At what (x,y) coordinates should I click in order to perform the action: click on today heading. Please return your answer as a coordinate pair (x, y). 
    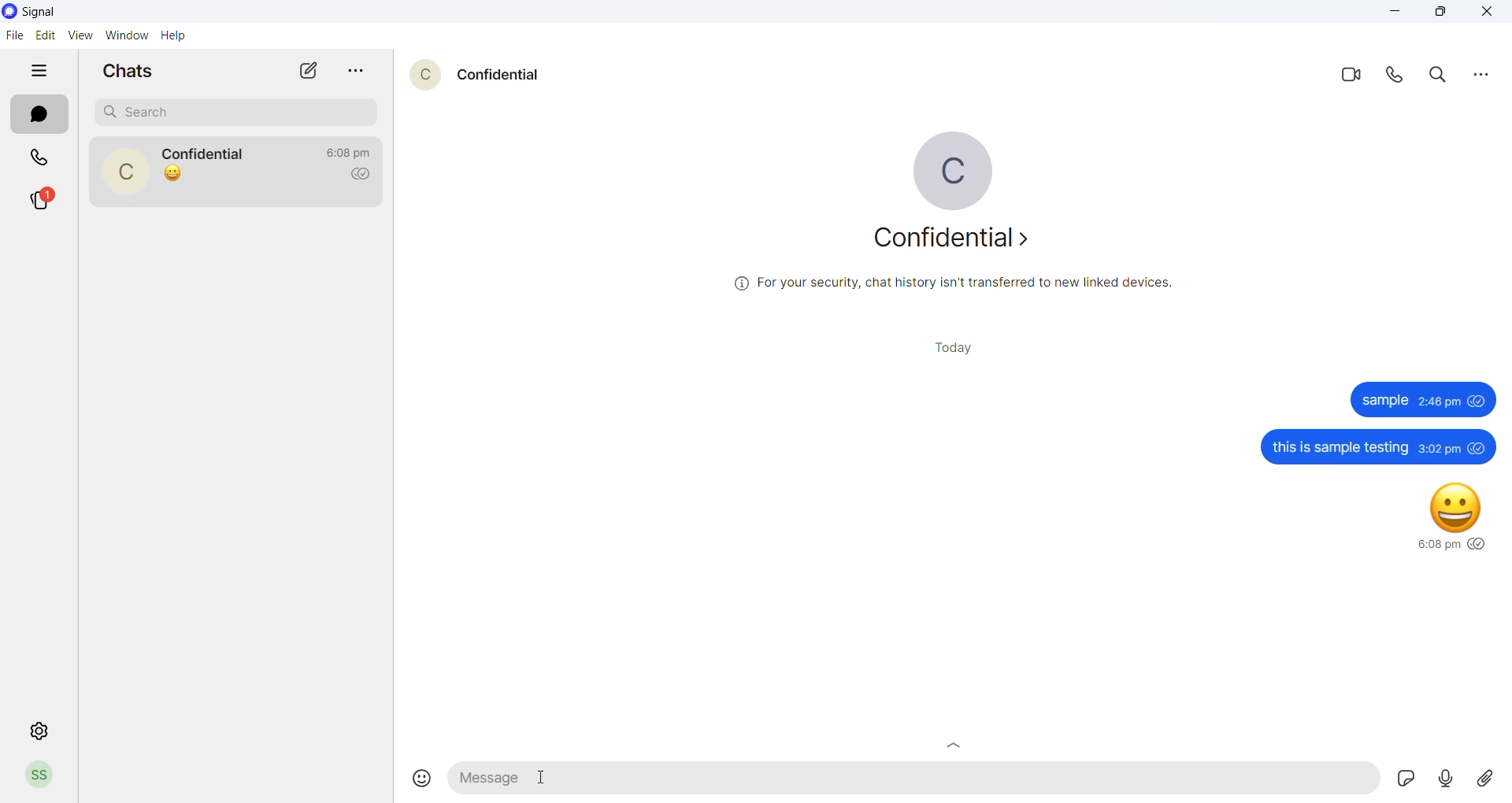
    Looking at the image, I should click on (960, 352).